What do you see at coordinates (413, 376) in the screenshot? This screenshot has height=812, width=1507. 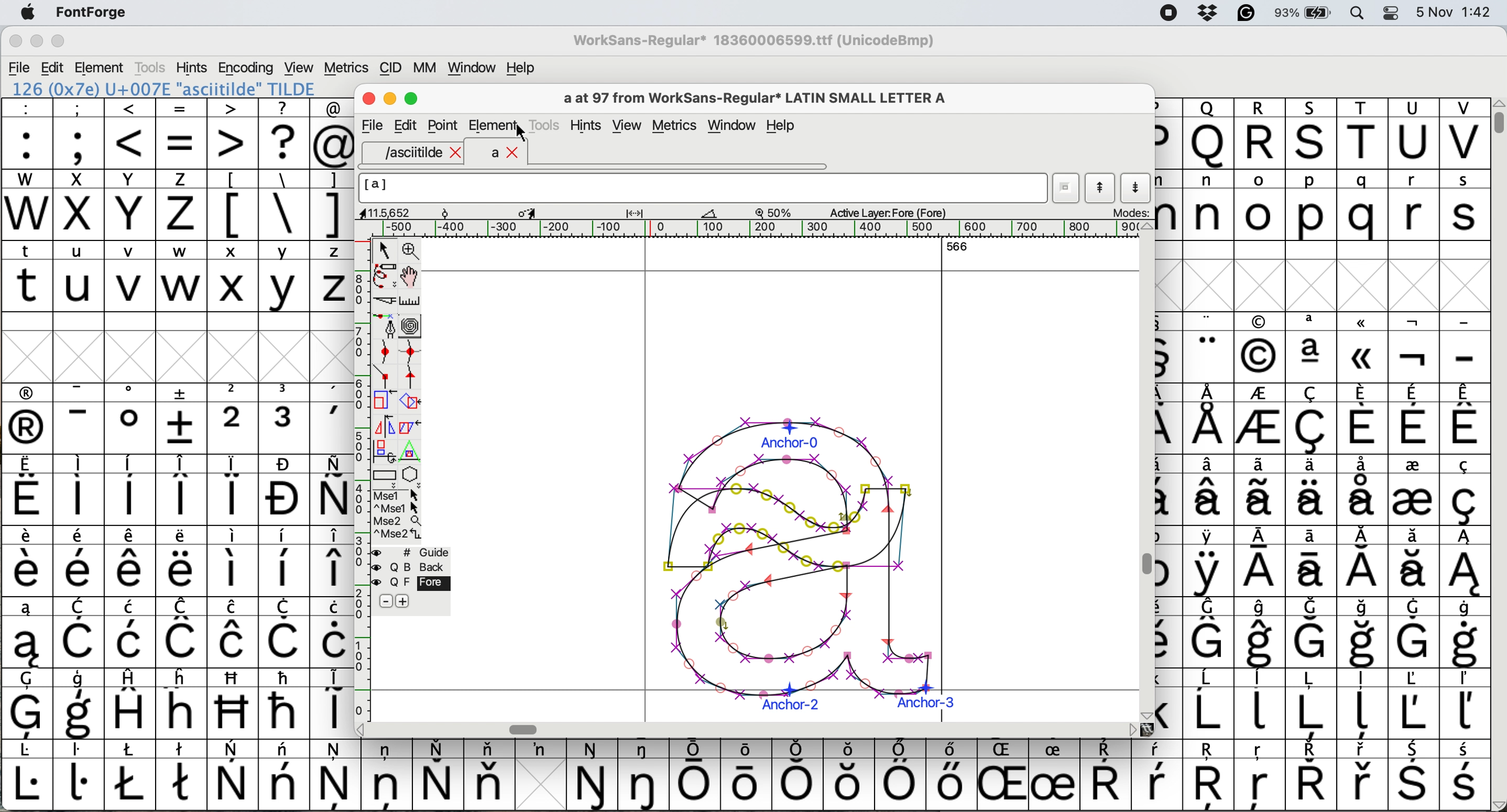 I see `add a tangent point` at bounding box center [413, 376].